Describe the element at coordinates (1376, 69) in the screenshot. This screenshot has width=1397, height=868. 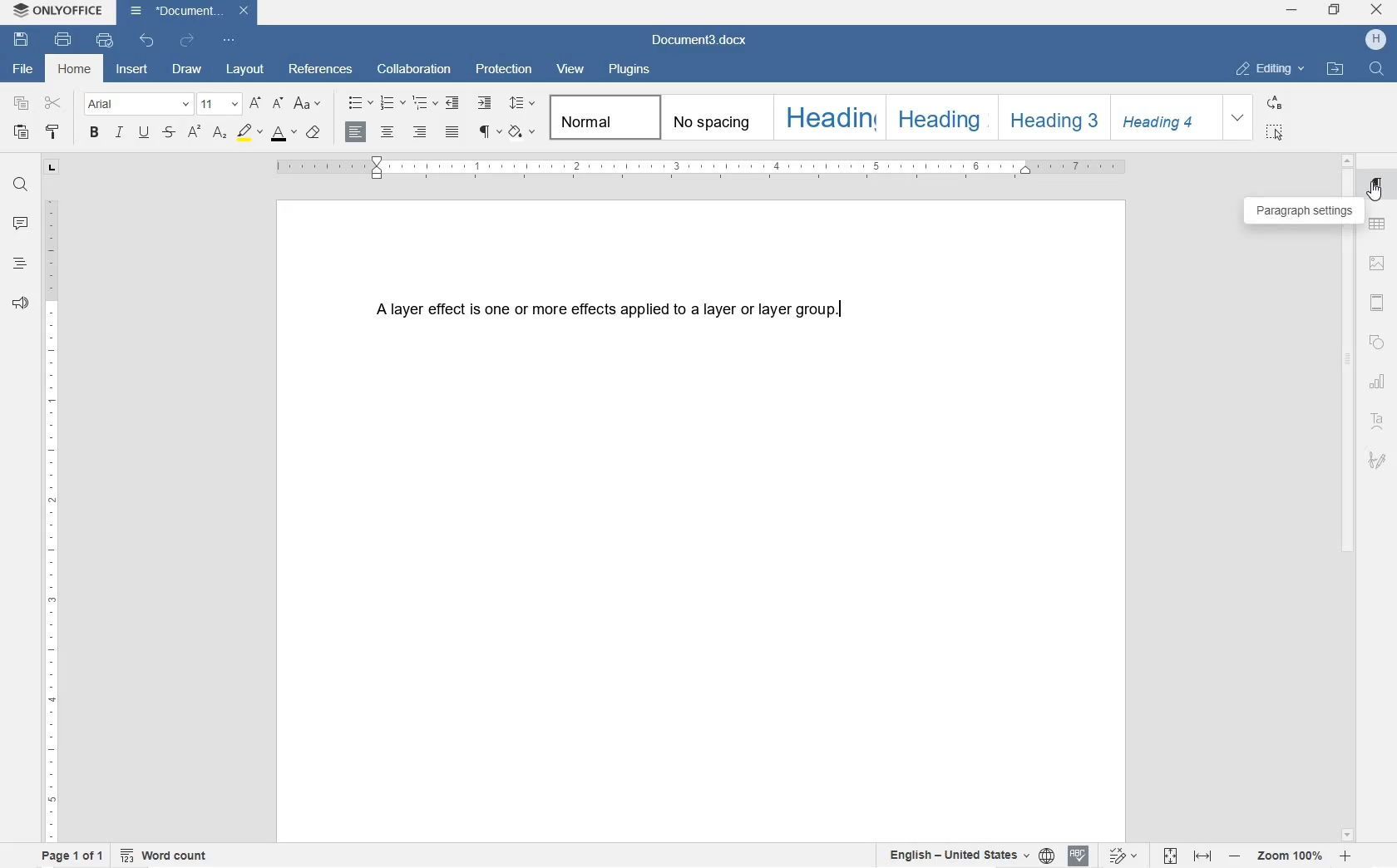
I see `FIND` at that location.